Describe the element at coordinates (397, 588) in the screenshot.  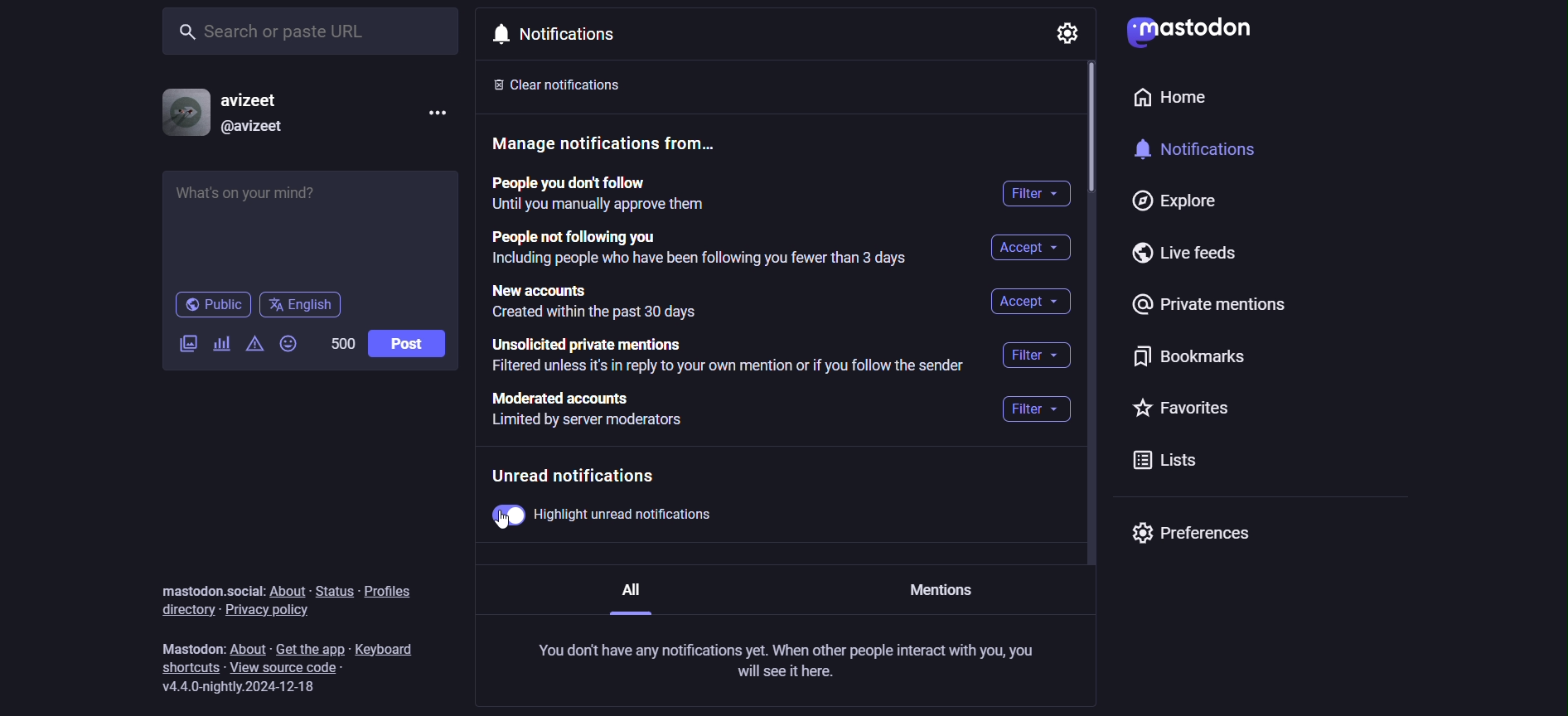
I see `profiles` at that location.